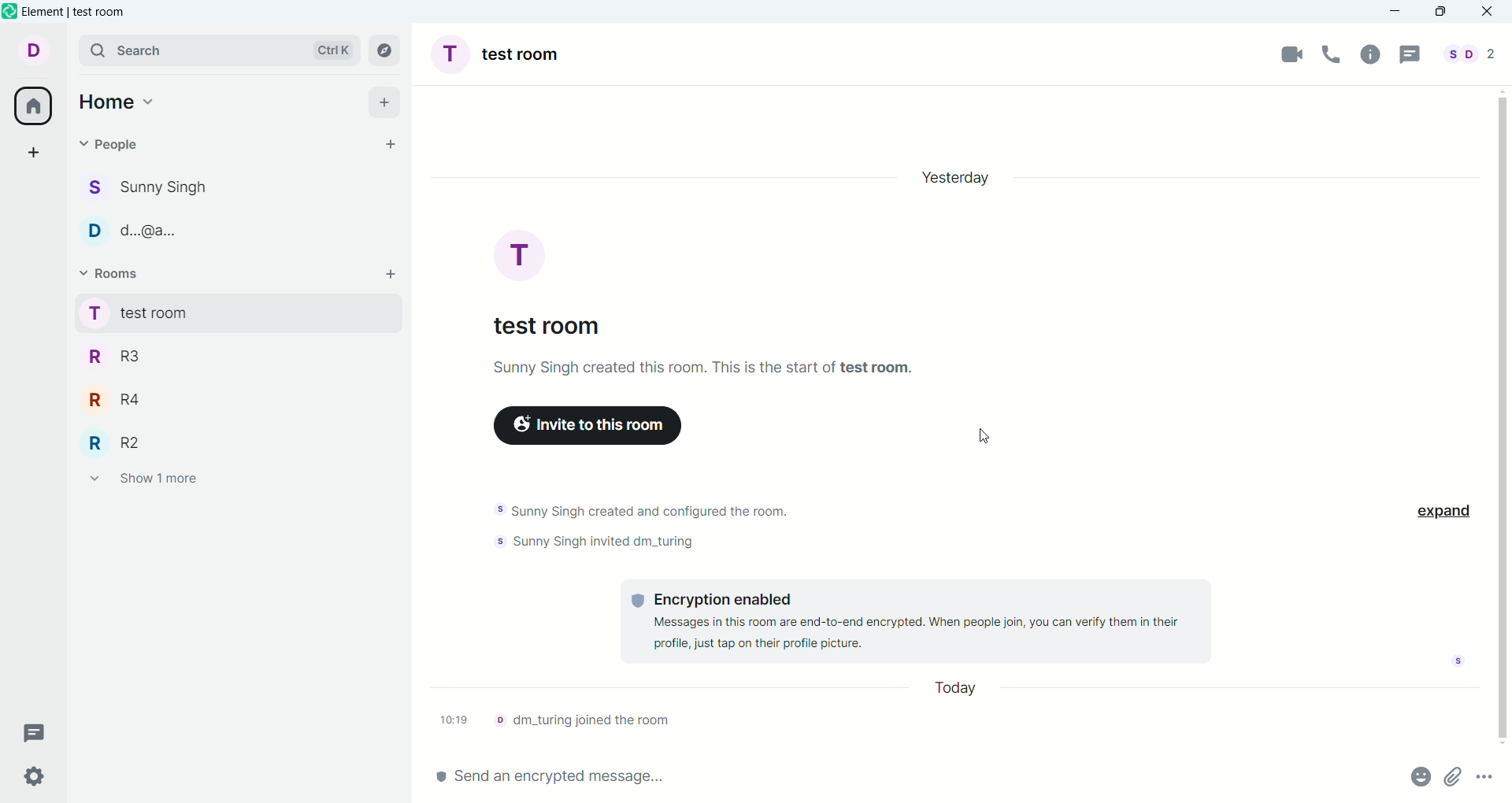  What do you see at coordinates (119, 102) in the screenshot?
I see `home` at bounding box center [119, 102].